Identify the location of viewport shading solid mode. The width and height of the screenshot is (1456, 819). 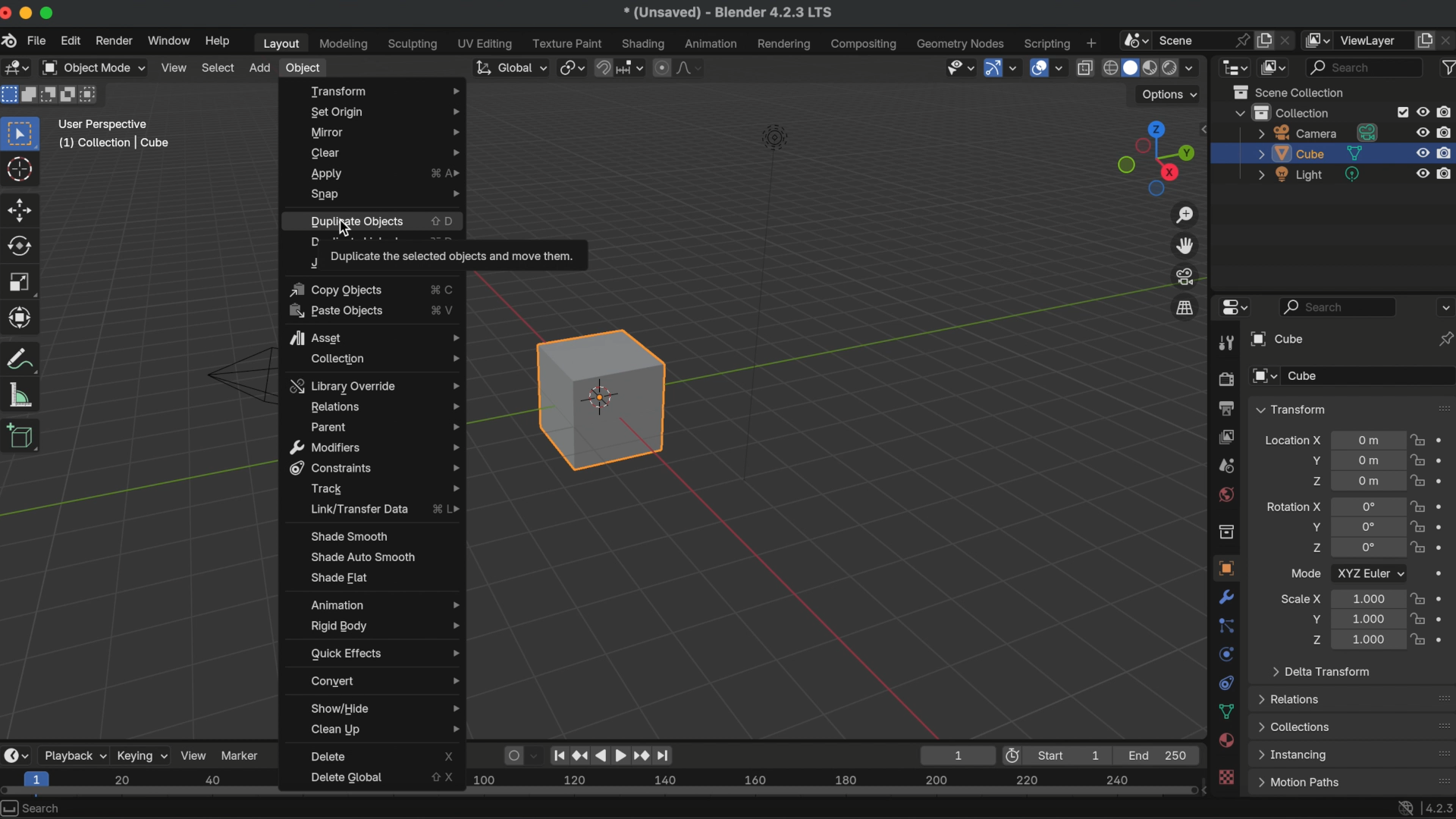
(1130, 66).